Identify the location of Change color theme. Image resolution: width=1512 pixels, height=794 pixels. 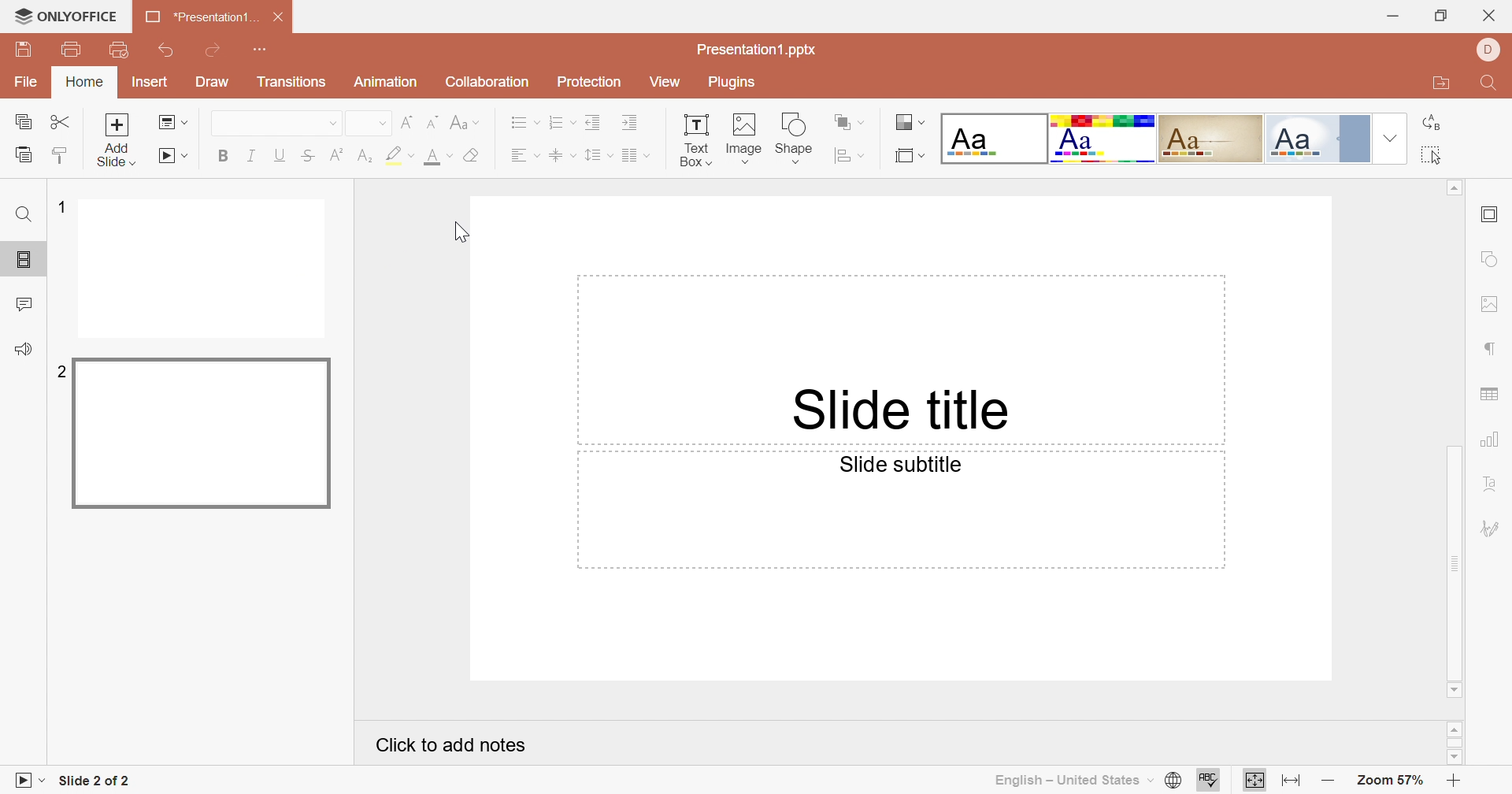
(911, 120).